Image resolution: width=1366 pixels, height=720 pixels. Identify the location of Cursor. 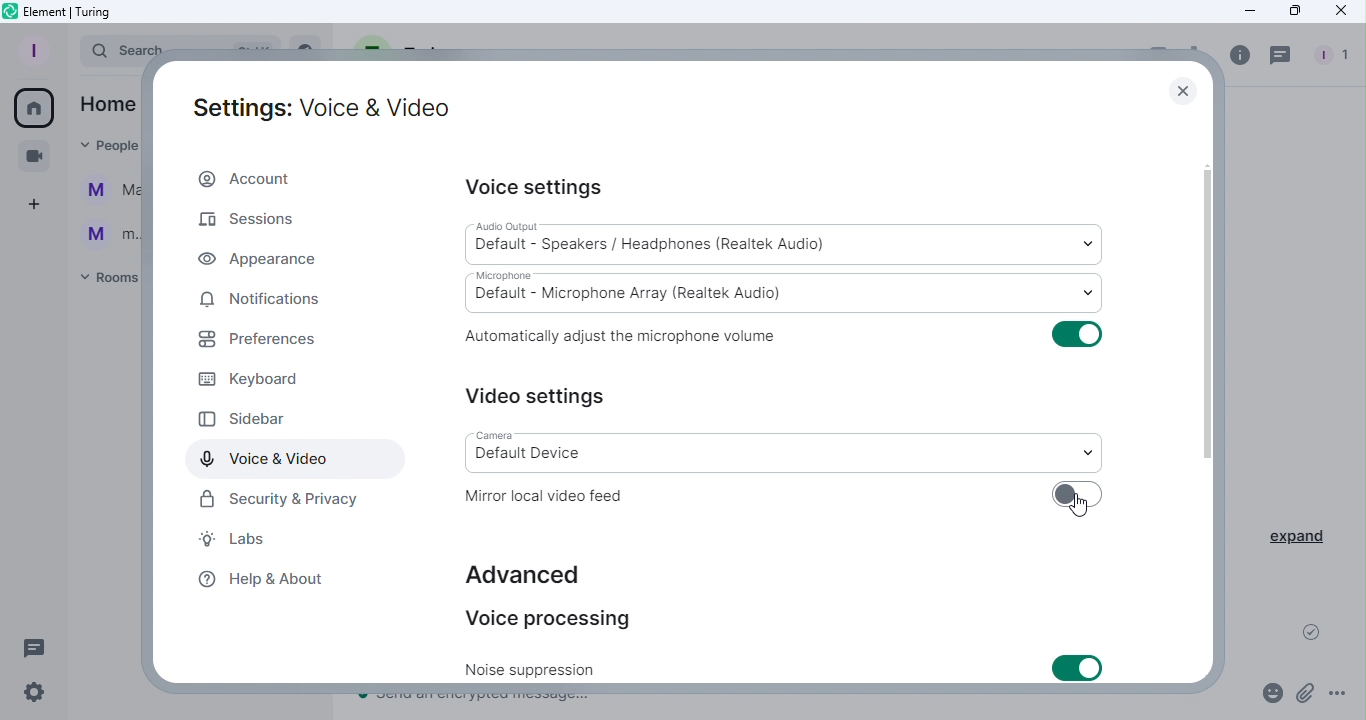
(1081, 510).